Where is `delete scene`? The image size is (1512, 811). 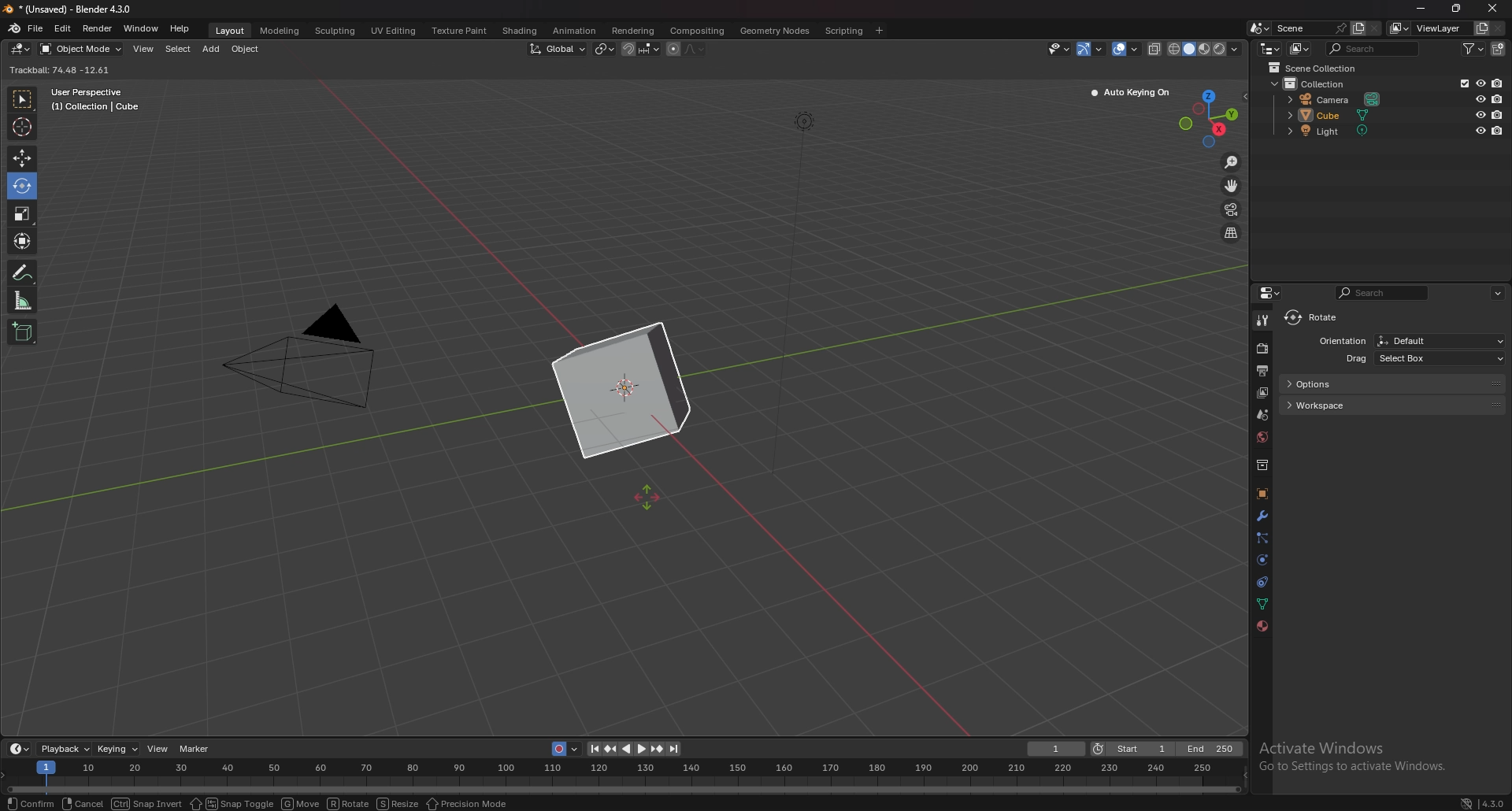
delete scene is located at coordinates (1374, 28).